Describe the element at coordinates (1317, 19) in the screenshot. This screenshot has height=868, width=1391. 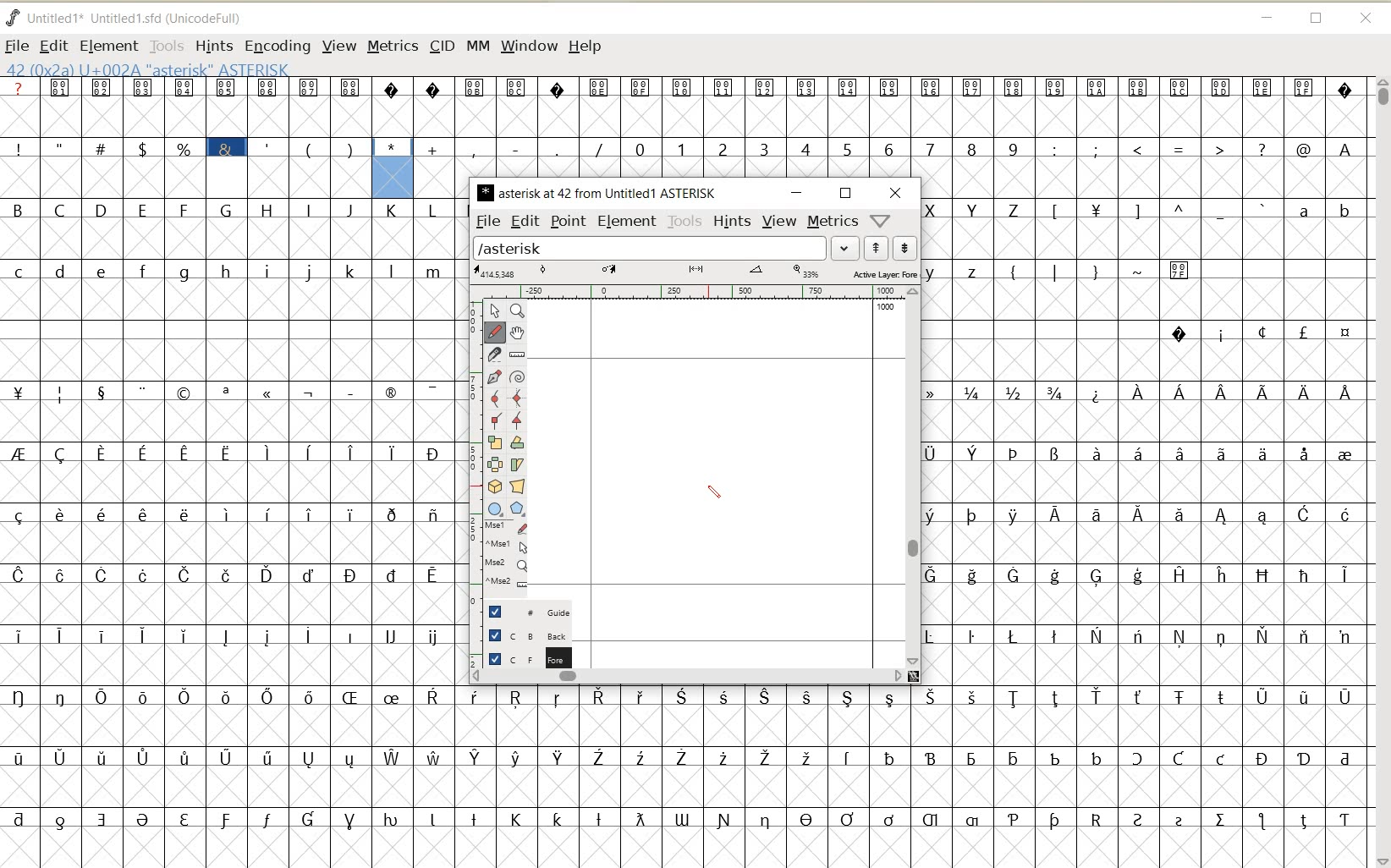
I see `RESTORE` at that location.